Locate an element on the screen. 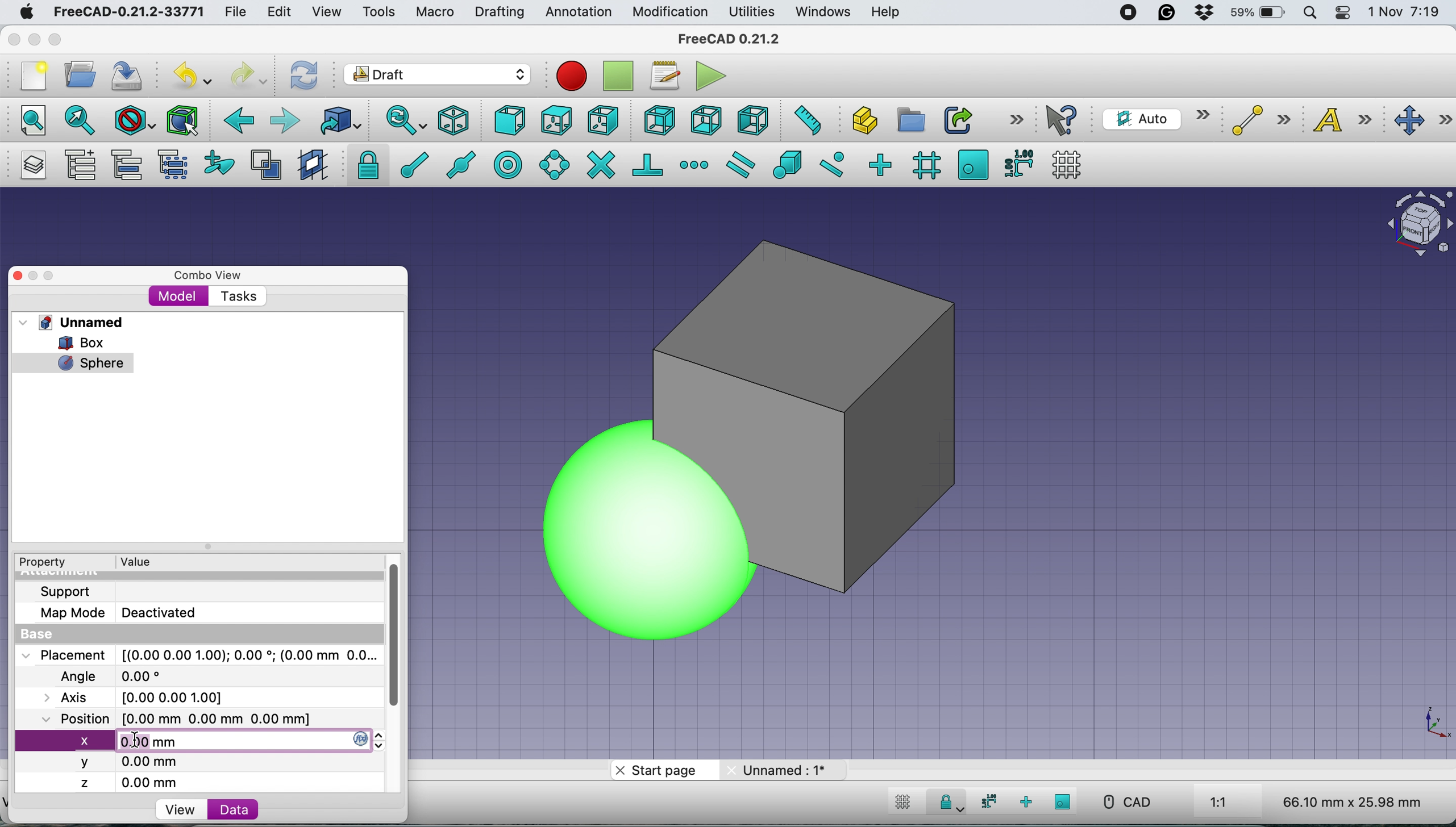 The image size is (1456, 827). forward is located at coordinates (284, 120).